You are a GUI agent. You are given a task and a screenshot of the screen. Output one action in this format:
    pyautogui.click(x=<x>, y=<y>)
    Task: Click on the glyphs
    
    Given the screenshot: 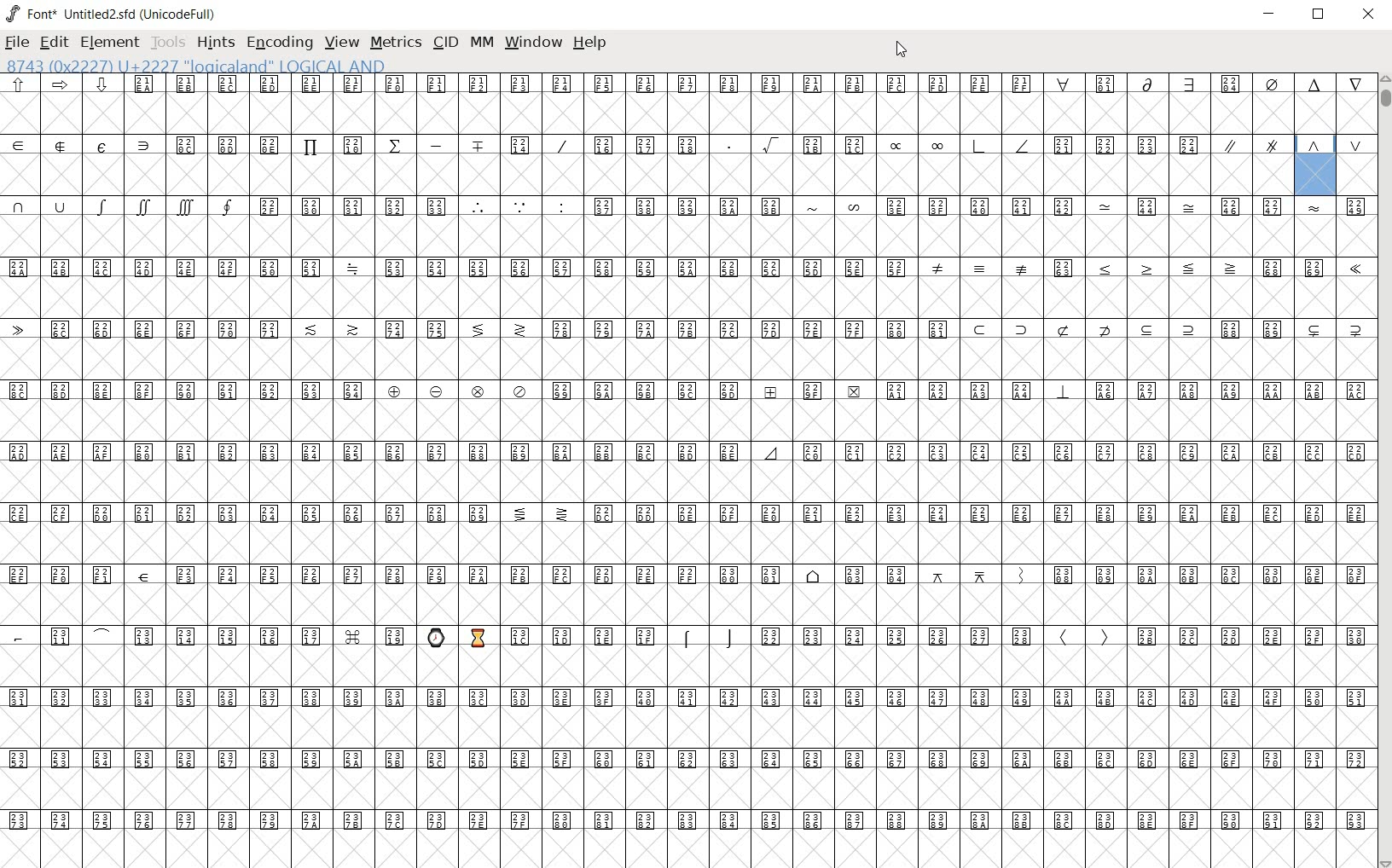 What is the action you would take?
    pyautogui.click(x=639, y=429)
    